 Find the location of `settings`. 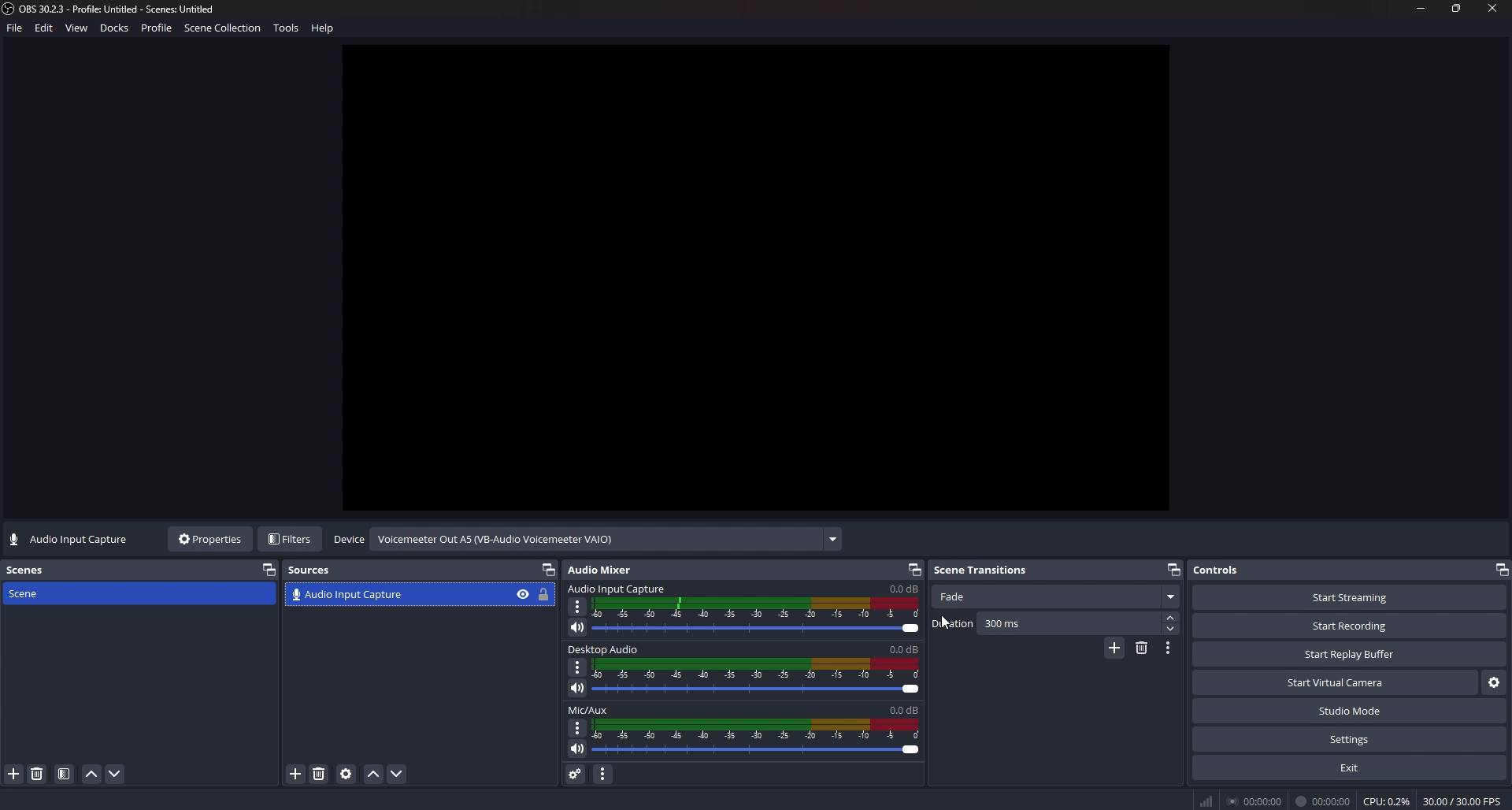

settings is located at coordinates (1492, 684).